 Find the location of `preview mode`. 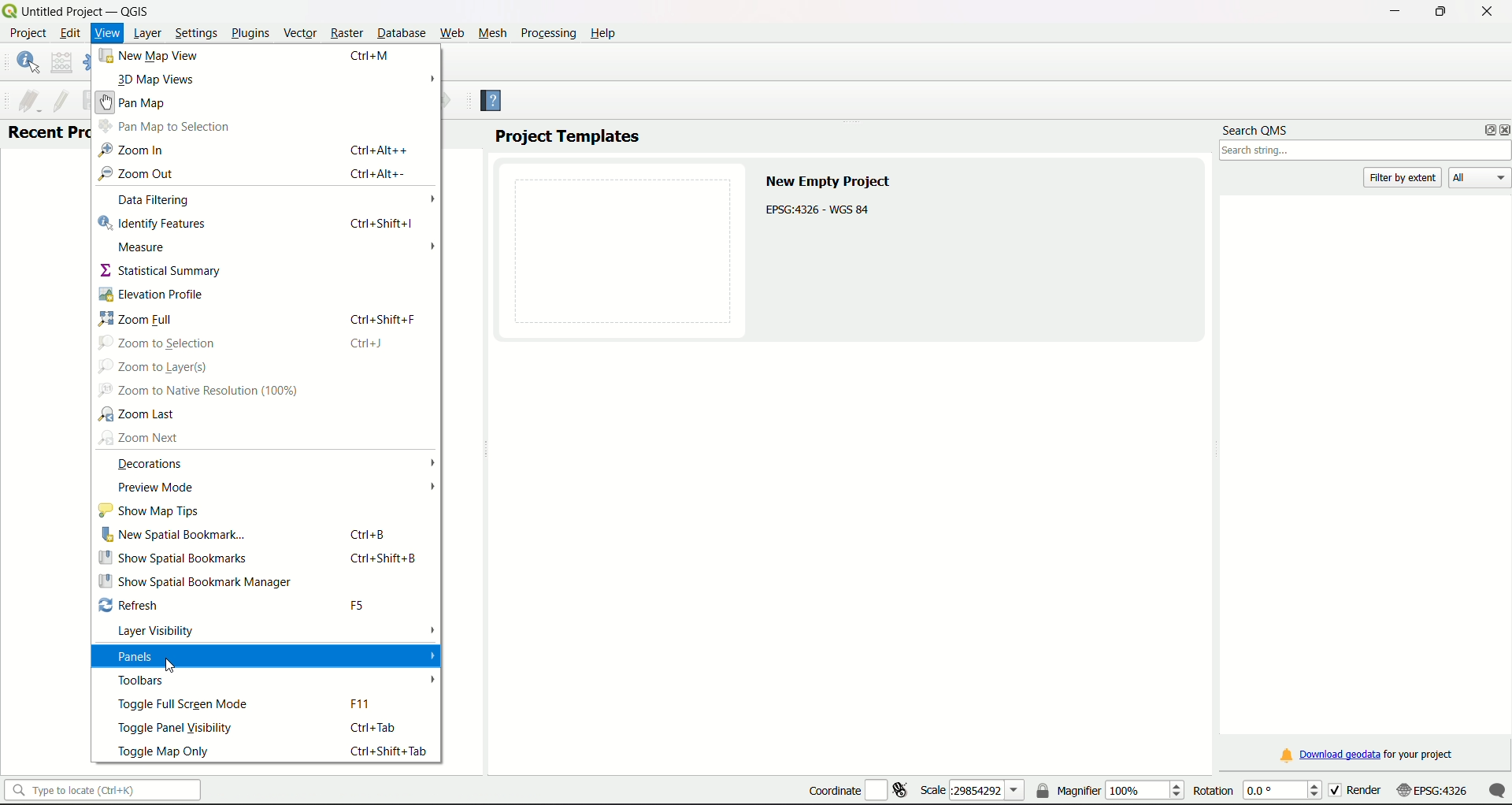

preview mode is located at coordinates (154, 488).